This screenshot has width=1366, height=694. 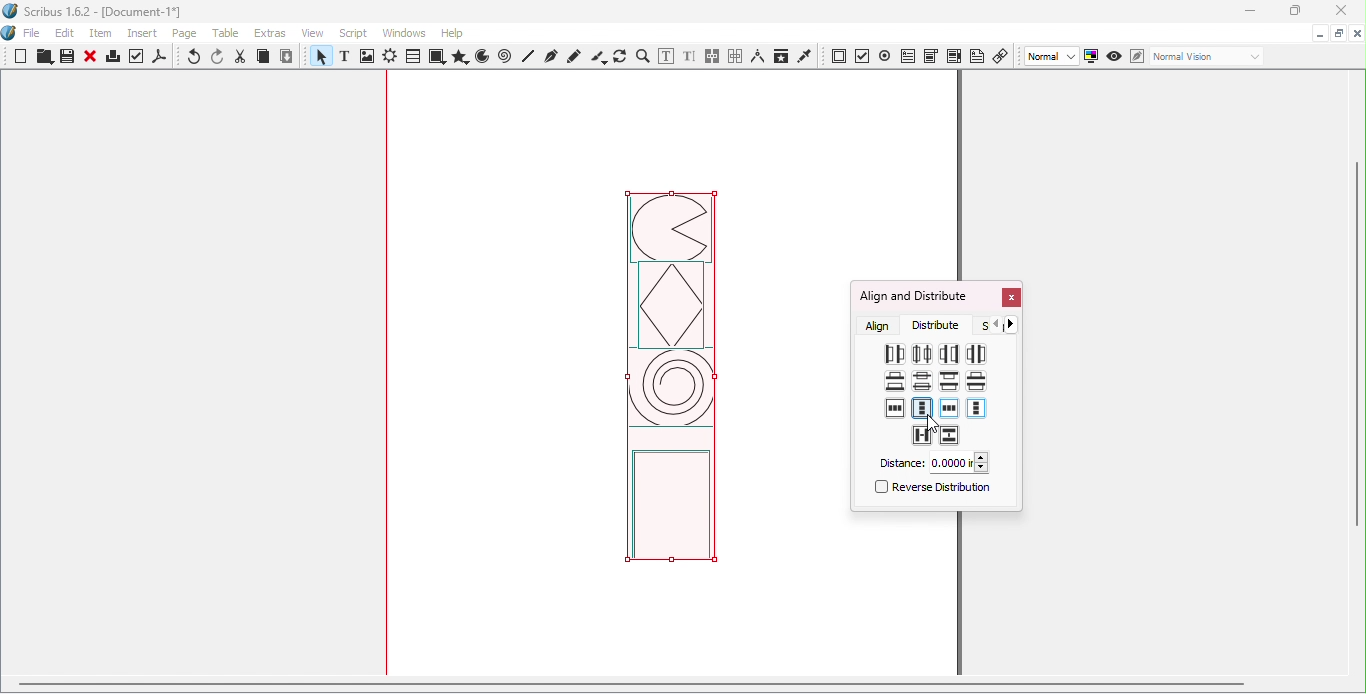 I want to click on Close, so click(x=1010, y=299).